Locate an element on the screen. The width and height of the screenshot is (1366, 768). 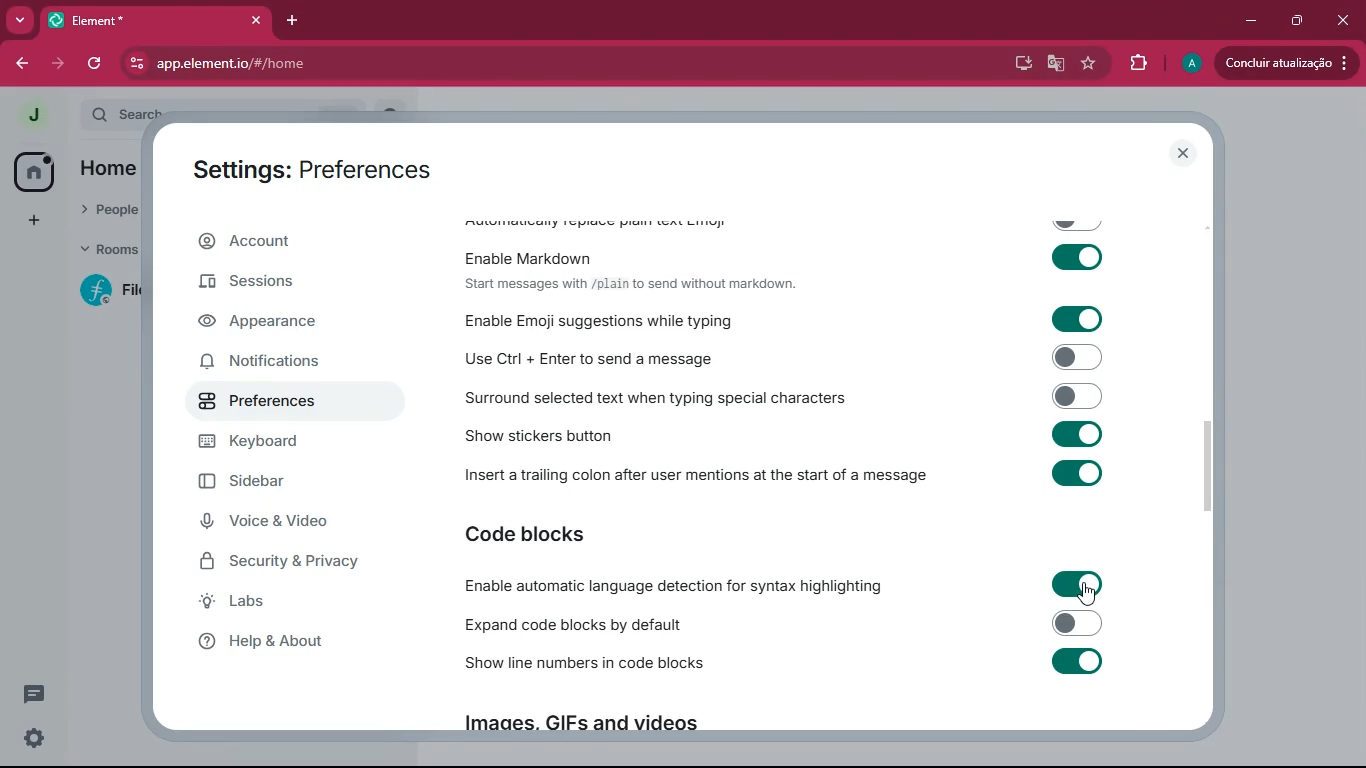
forward is located at coordinates (60, 63).